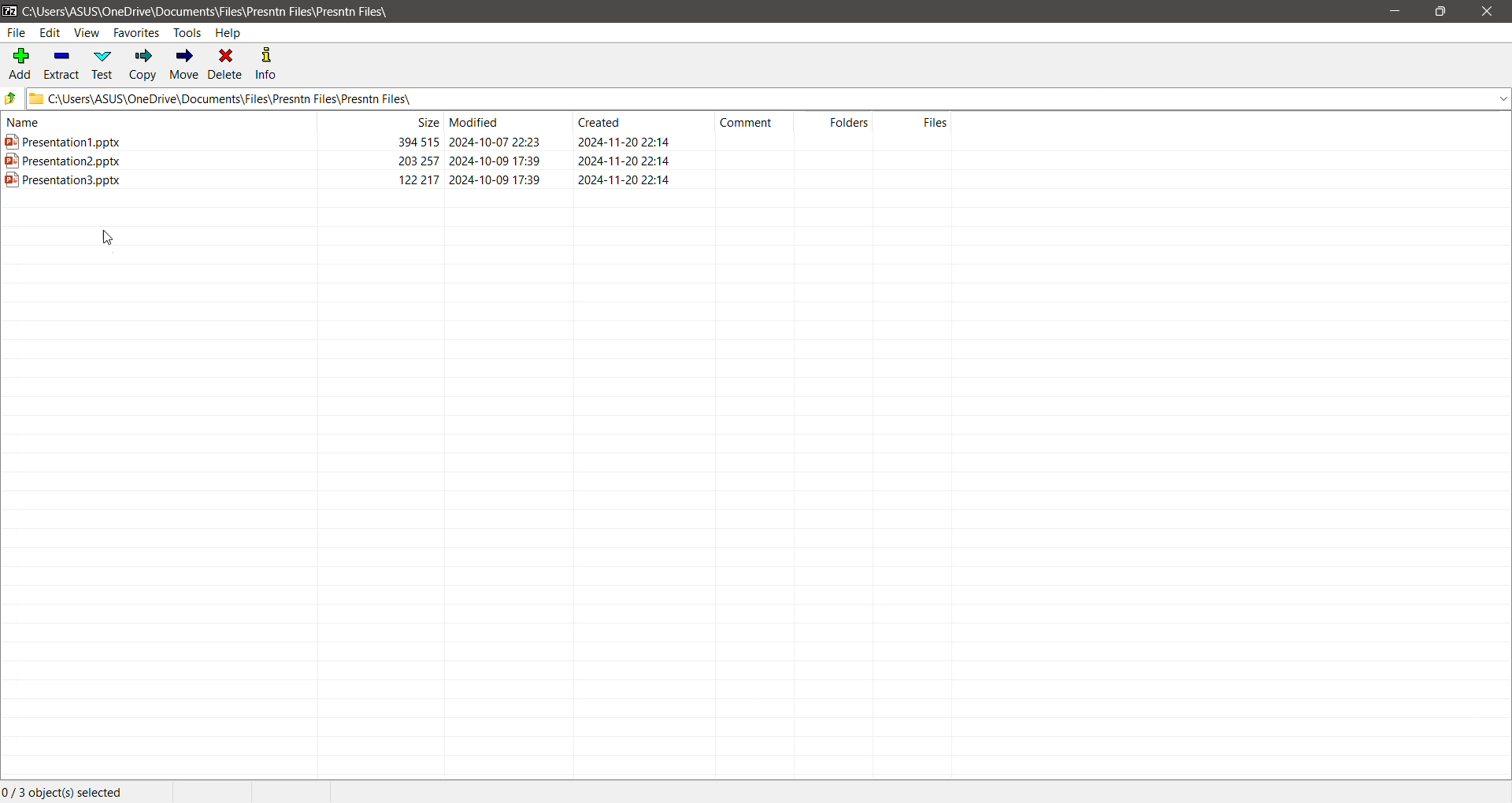  What do you see at coordinates (599, 121) in the screenshot?
I see `created` at bounding box center [599, 121].